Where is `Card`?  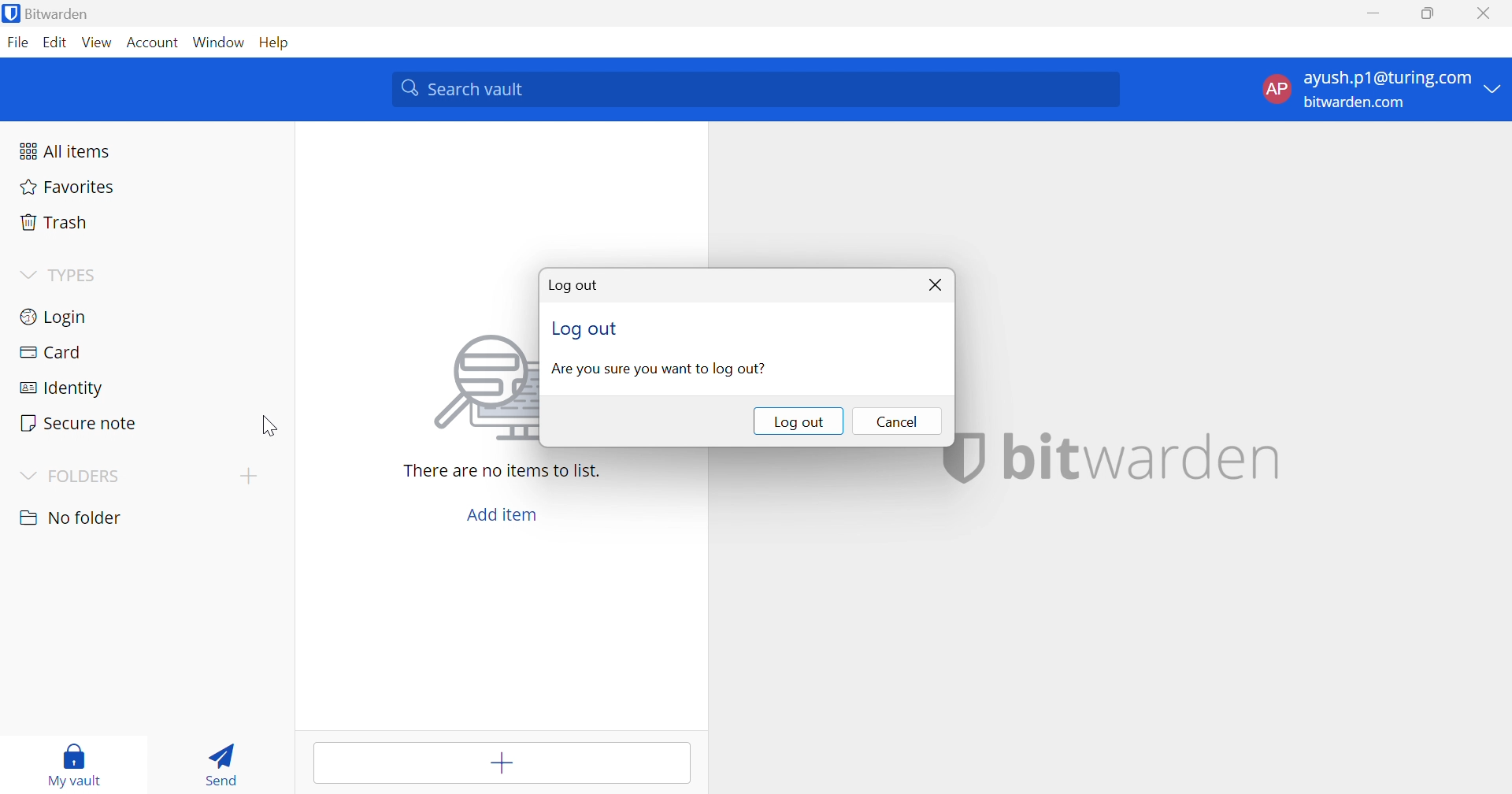 Card is located at coordinates (50, 350).